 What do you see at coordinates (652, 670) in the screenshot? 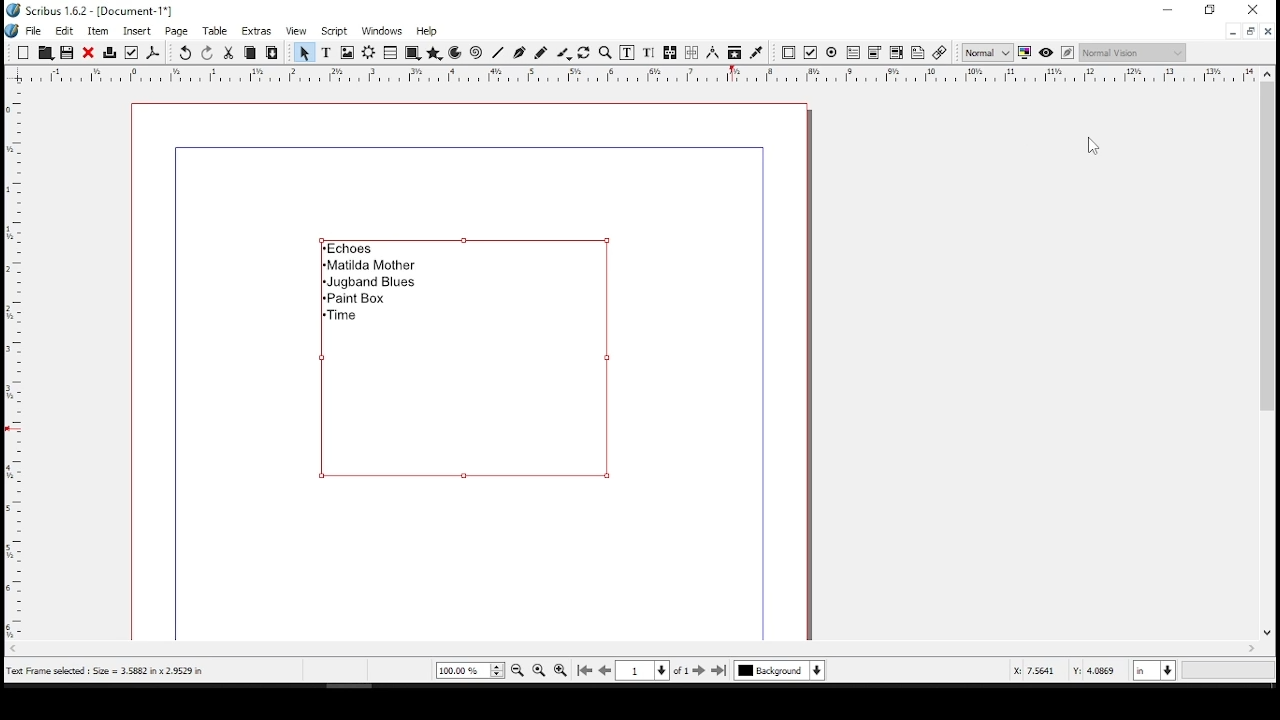
I see `go to page` at bounding box center [652, 670].